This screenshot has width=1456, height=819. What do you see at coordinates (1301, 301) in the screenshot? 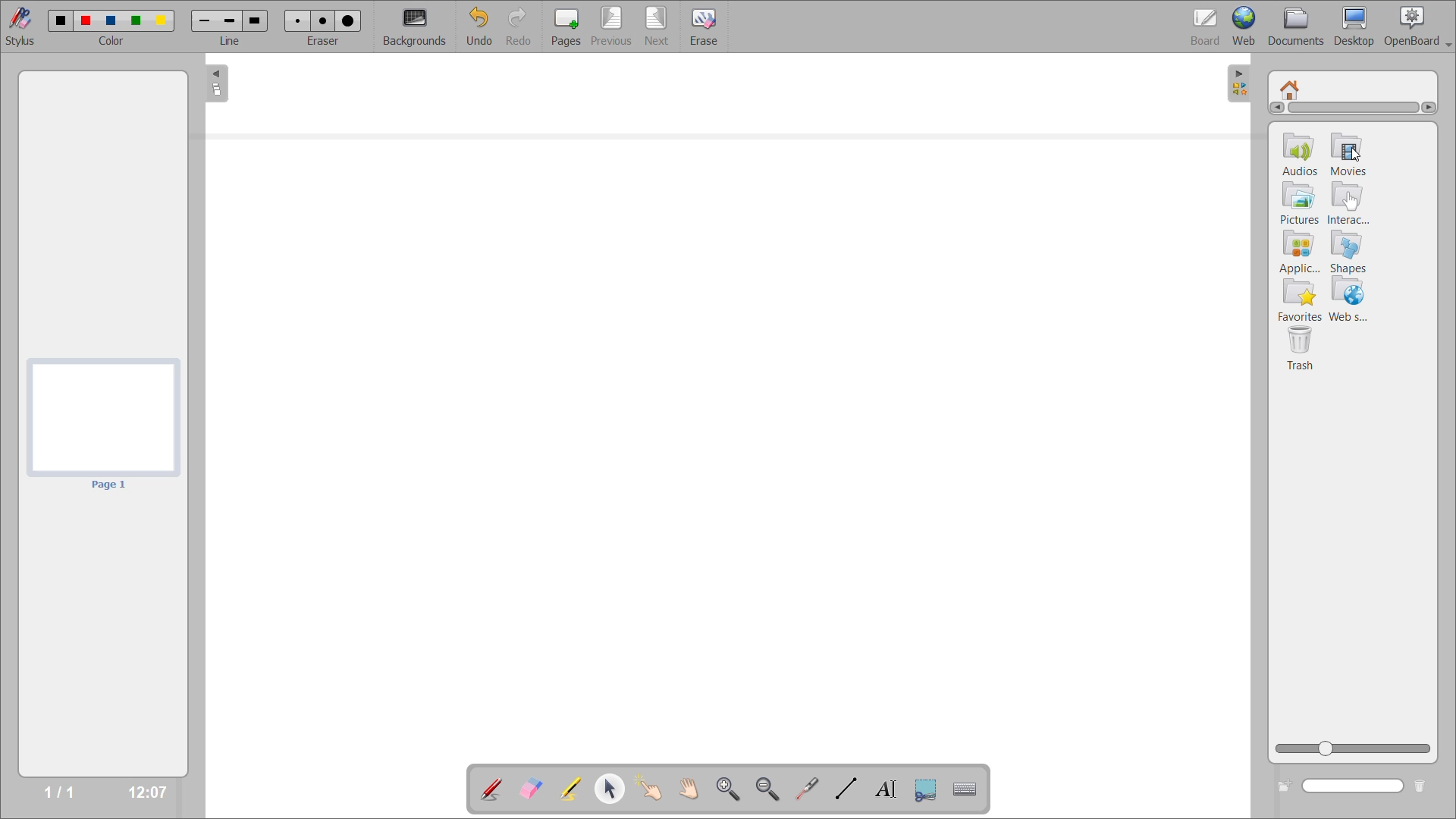
I see `favorites` at bounding box center [1301, 301].